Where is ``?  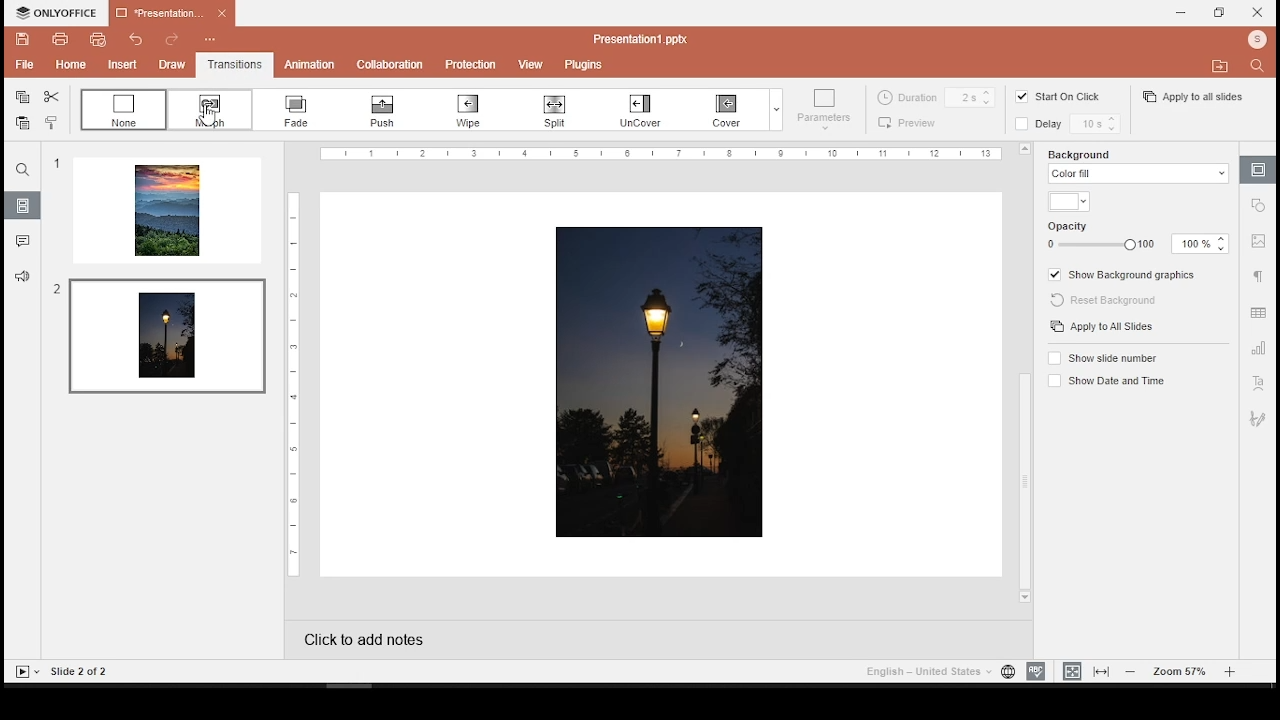
 is located at coordinates (1259, 421).